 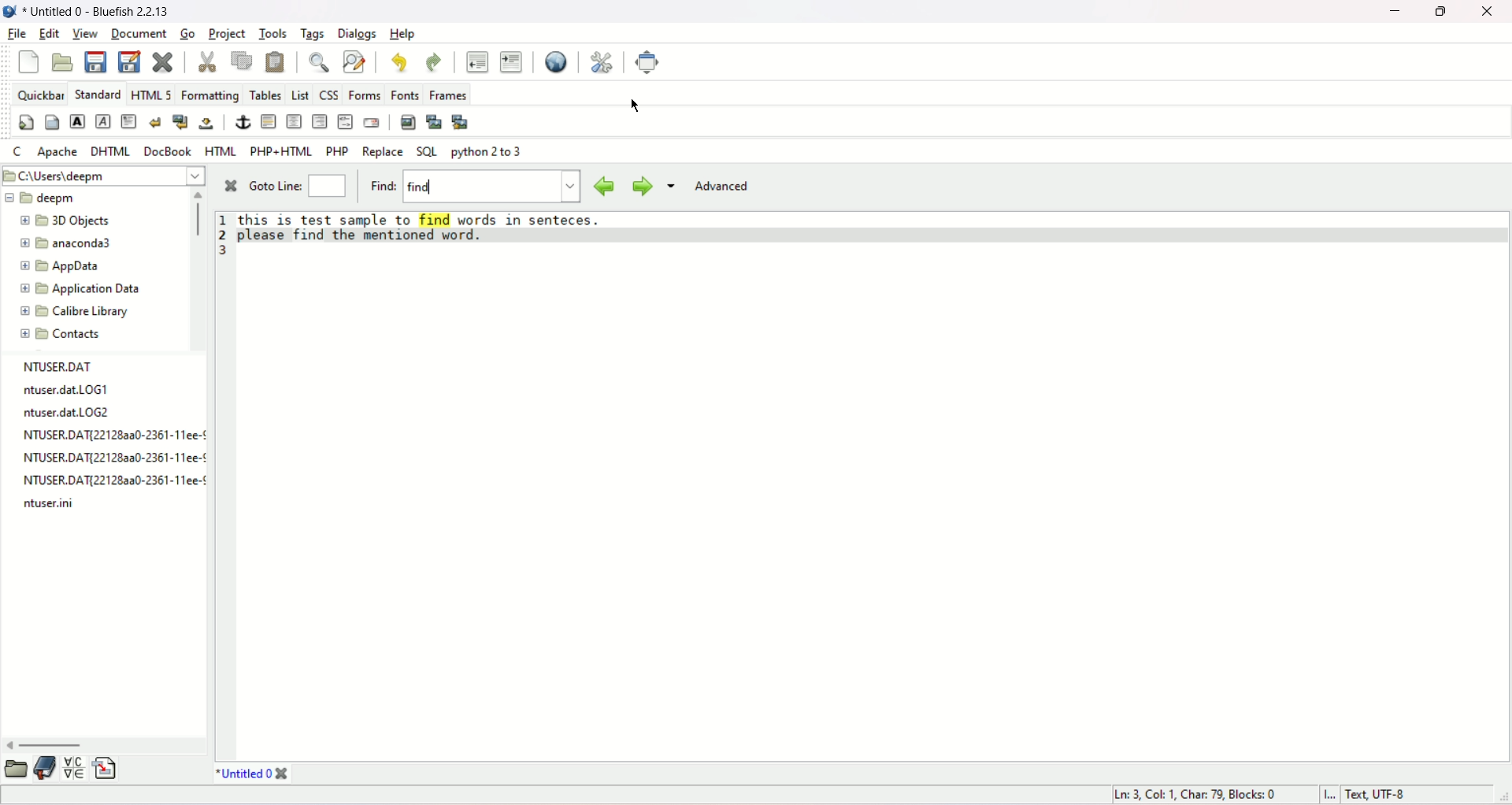 What do you see at coordinates (61, 336) in the screenshot?
I see `contacts` at bounding box center [61, 336].